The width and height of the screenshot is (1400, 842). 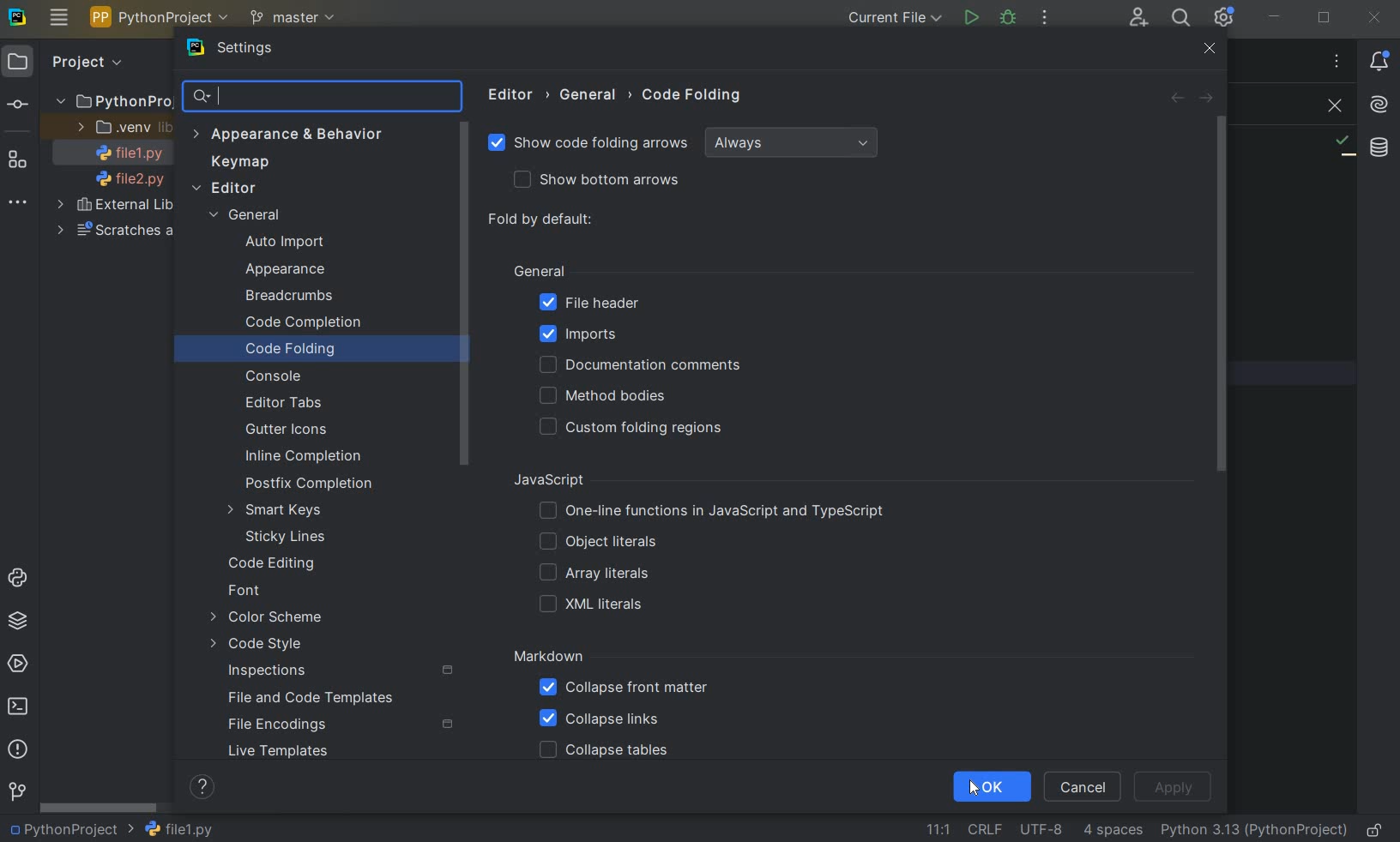 I want to click on OK, so click(x=993, y=788).